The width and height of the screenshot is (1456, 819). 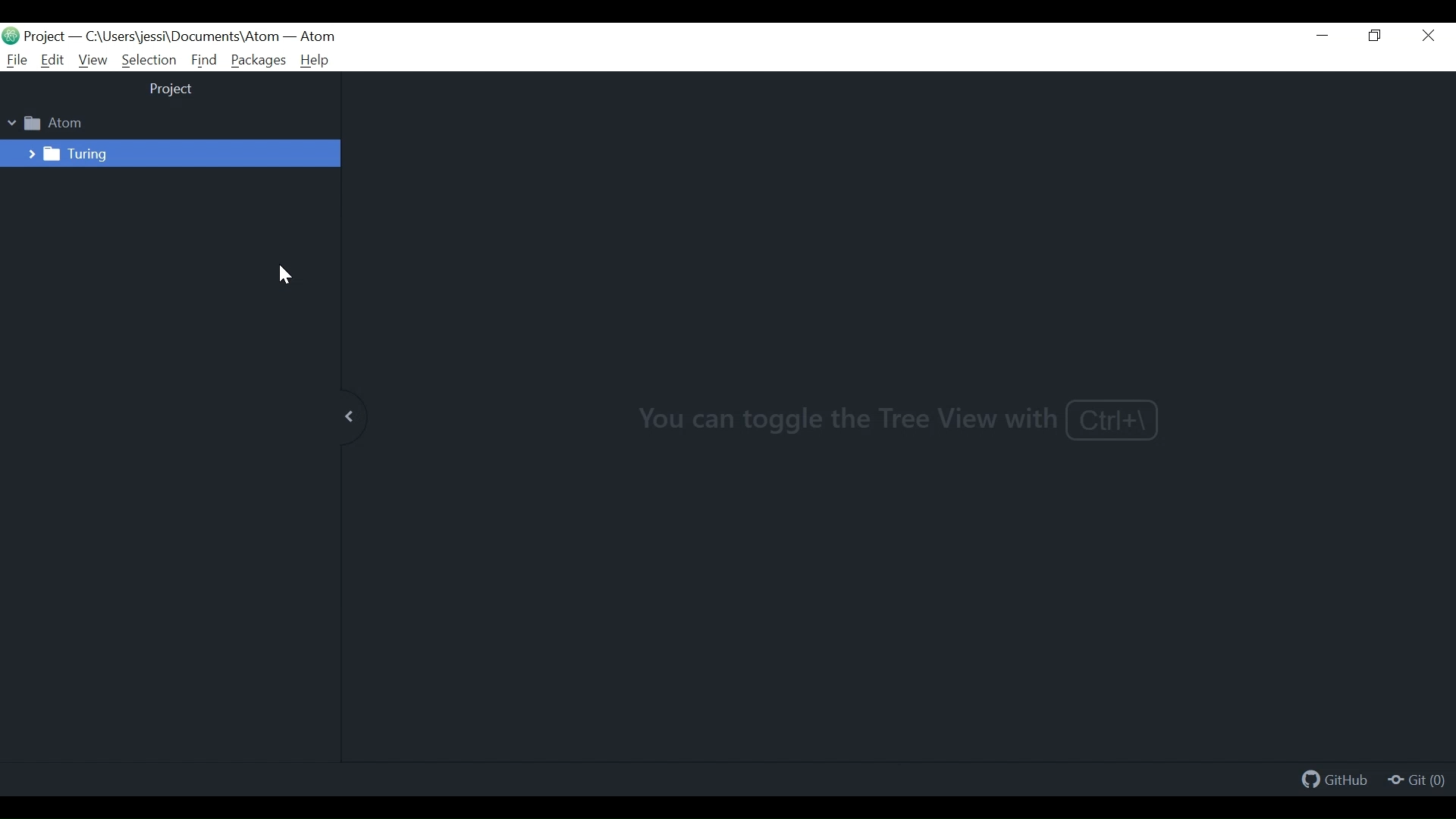 I want to click on Close, so click(x=1429, y=36).